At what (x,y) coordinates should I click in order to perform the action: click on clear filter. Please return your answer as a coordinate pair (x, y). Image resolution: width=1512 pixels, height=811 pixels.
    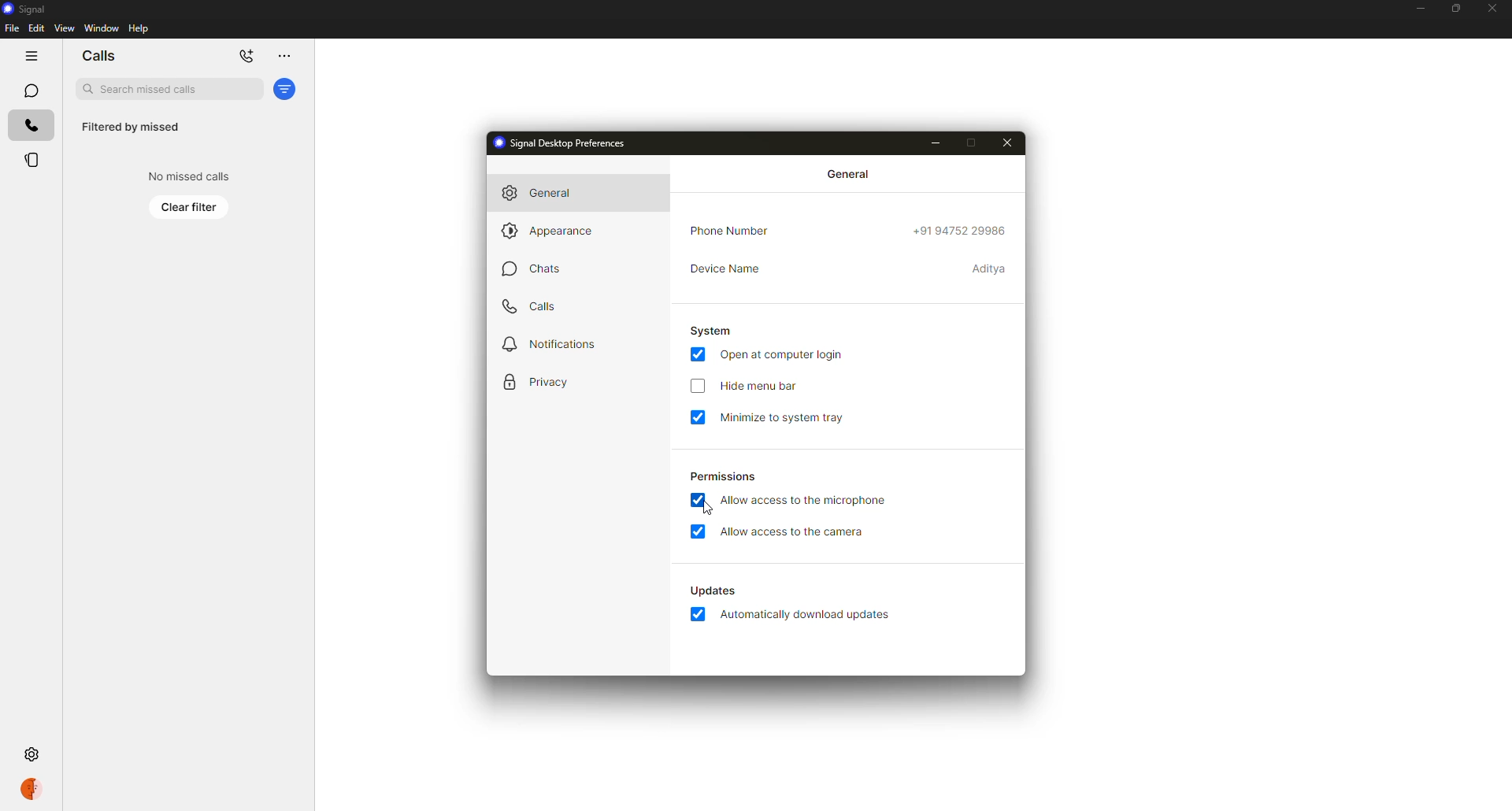
    Looking at the image, I should click on (190, 207).